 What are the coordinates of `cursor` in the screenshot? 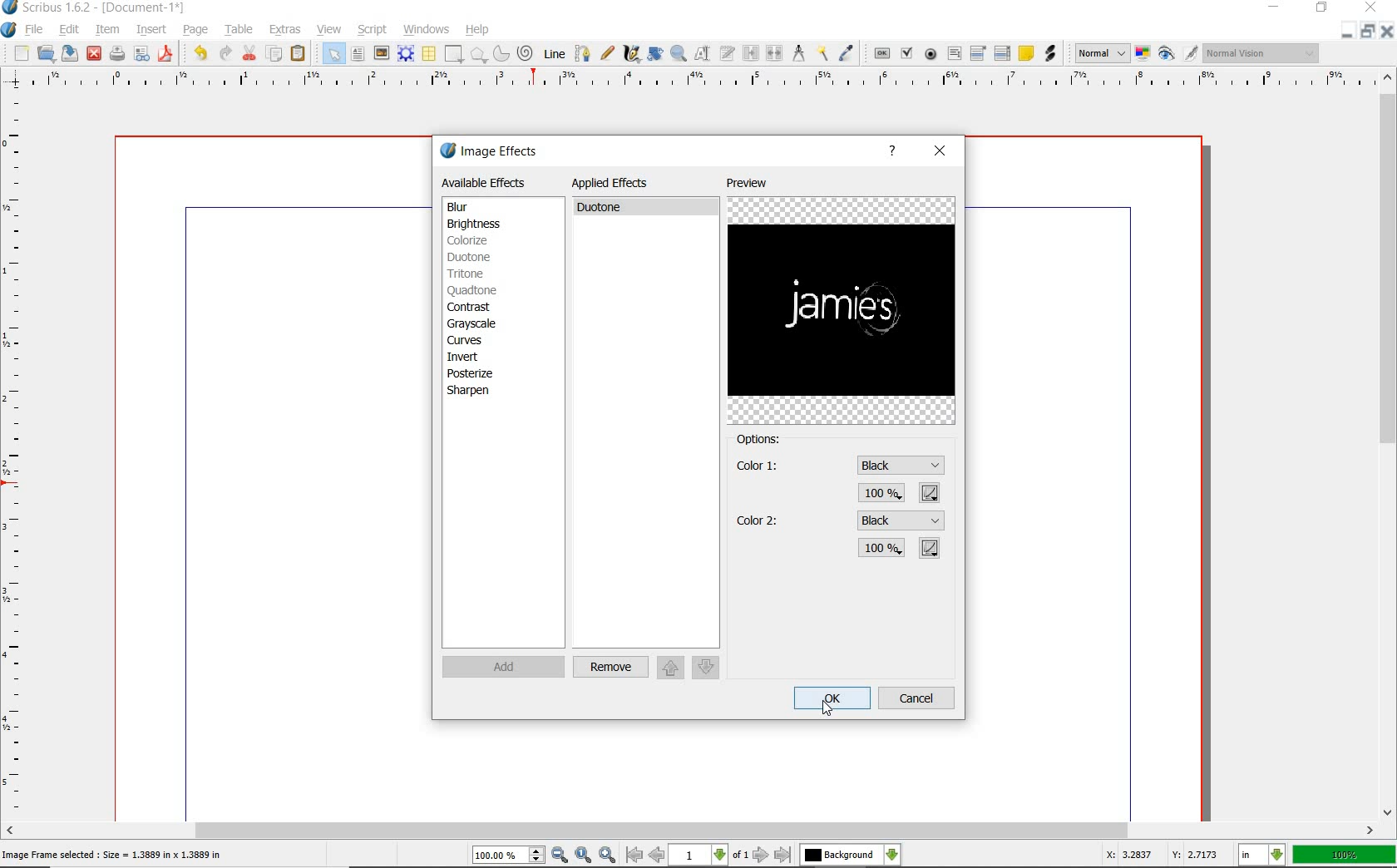 It's located at (828, 708).